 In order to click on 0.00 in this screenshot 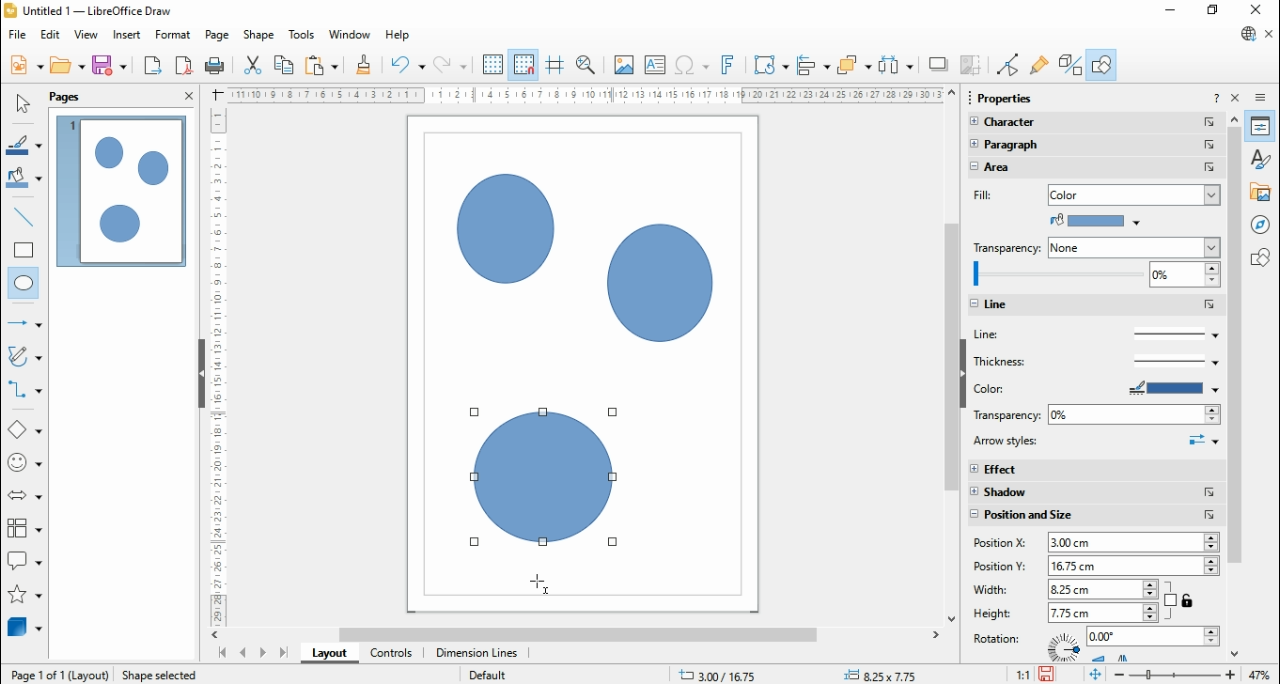, I will do `click(1153, 637)`.